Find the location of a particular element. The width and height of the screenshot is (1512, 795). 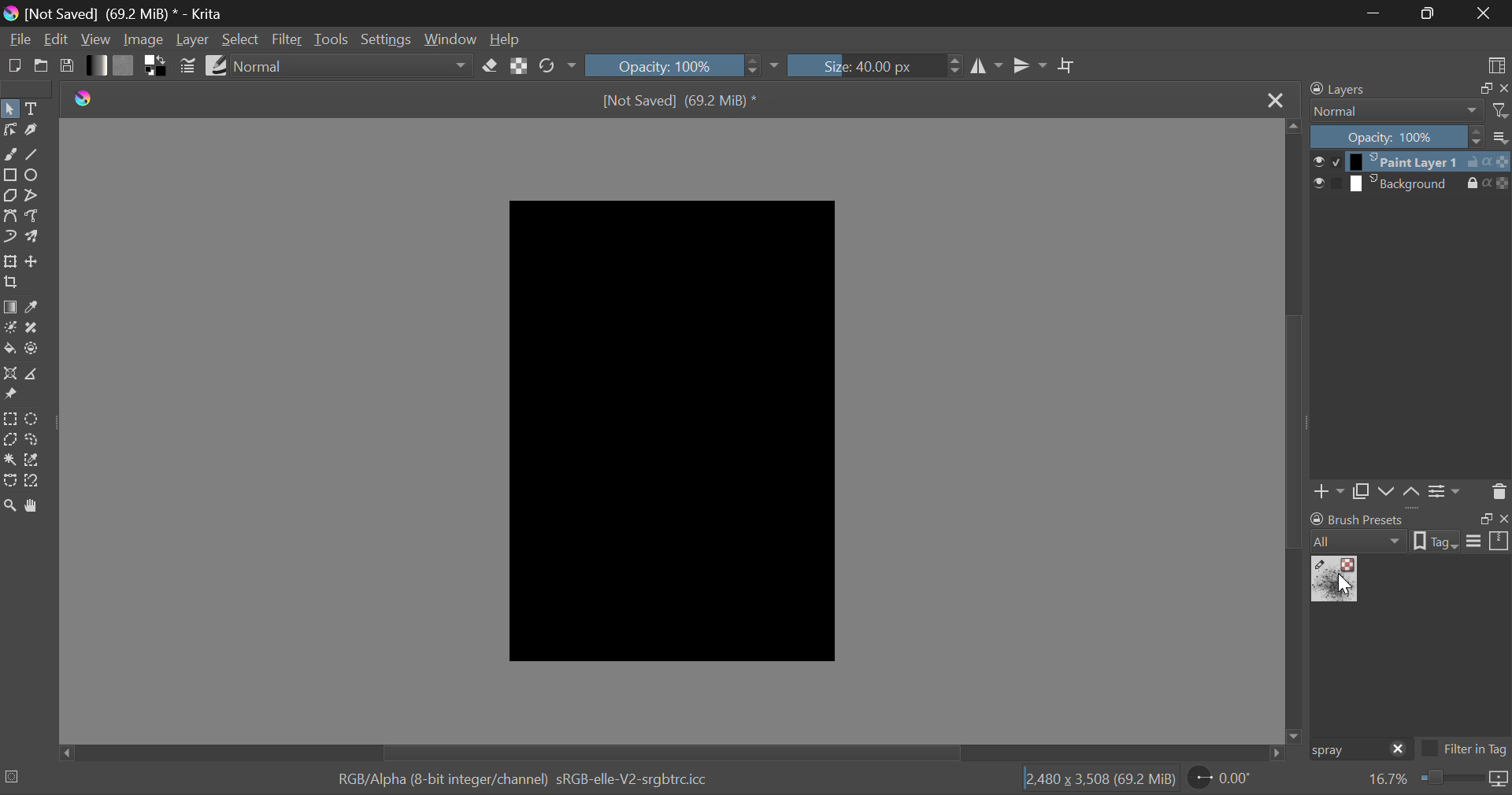

Magnetic Selection is located at coordinates (37, 482).